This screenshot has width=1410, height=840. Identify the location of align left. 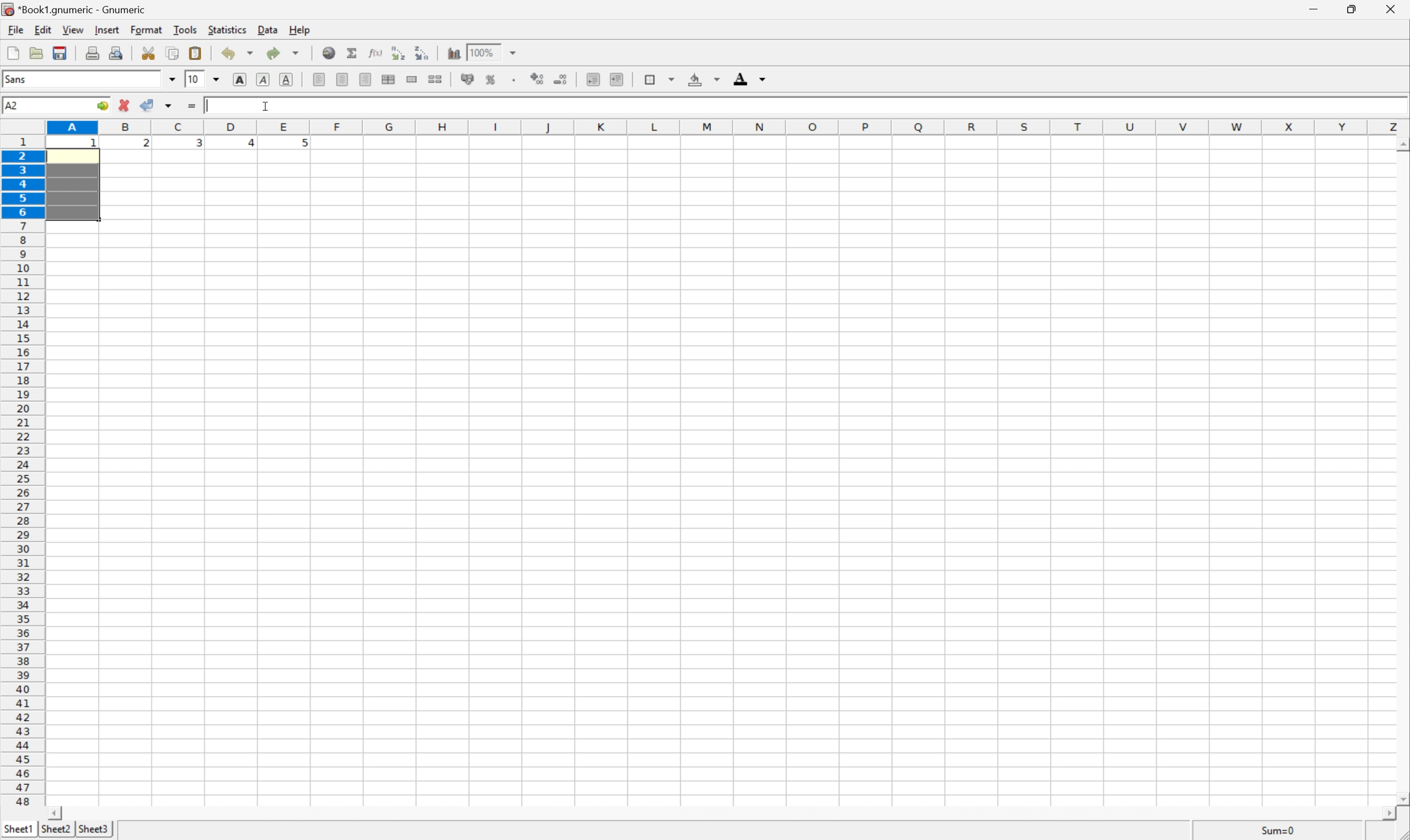
(320, 79).